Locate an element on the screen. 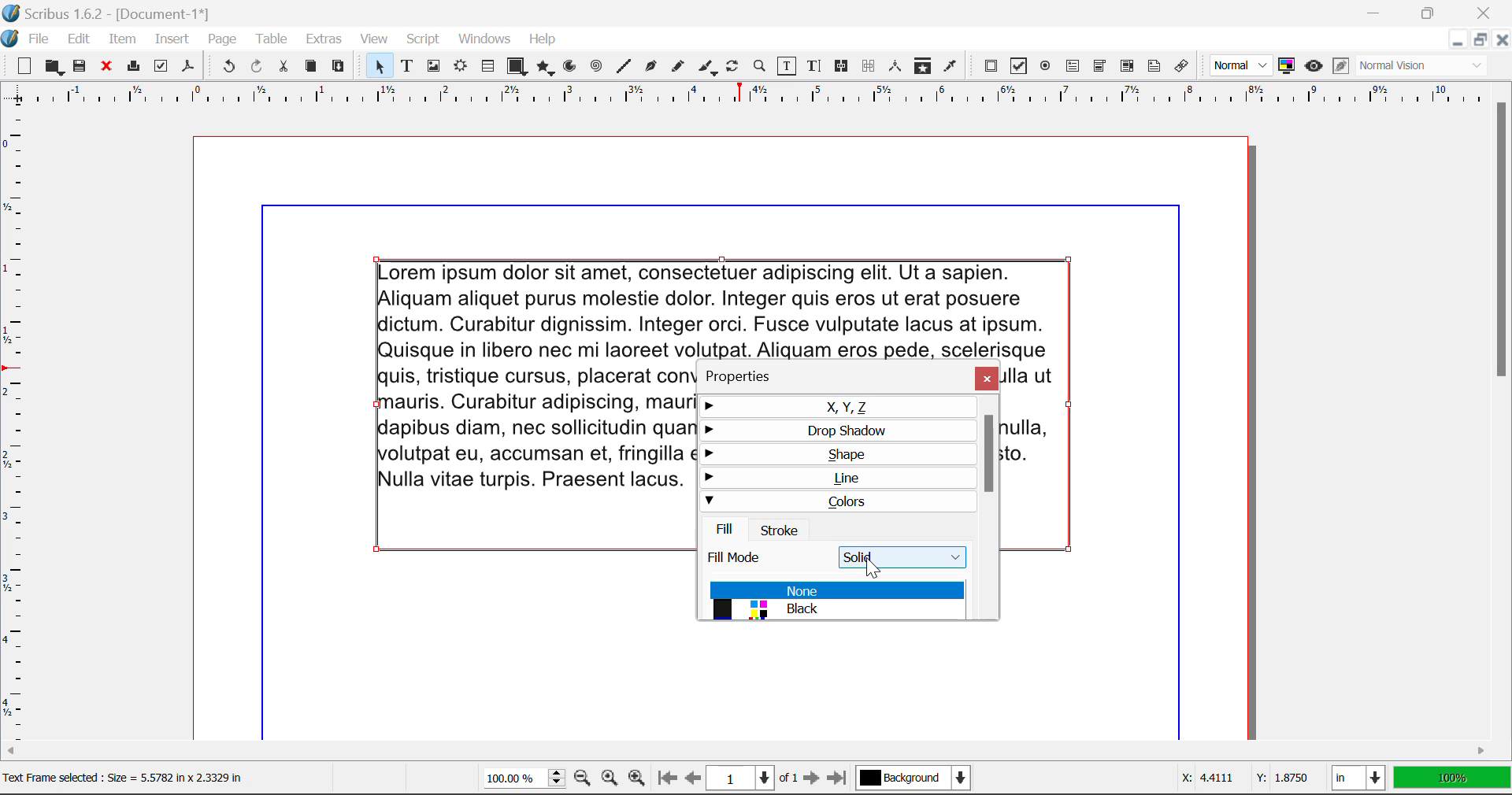  First Page is located at coordinates (665, 779).